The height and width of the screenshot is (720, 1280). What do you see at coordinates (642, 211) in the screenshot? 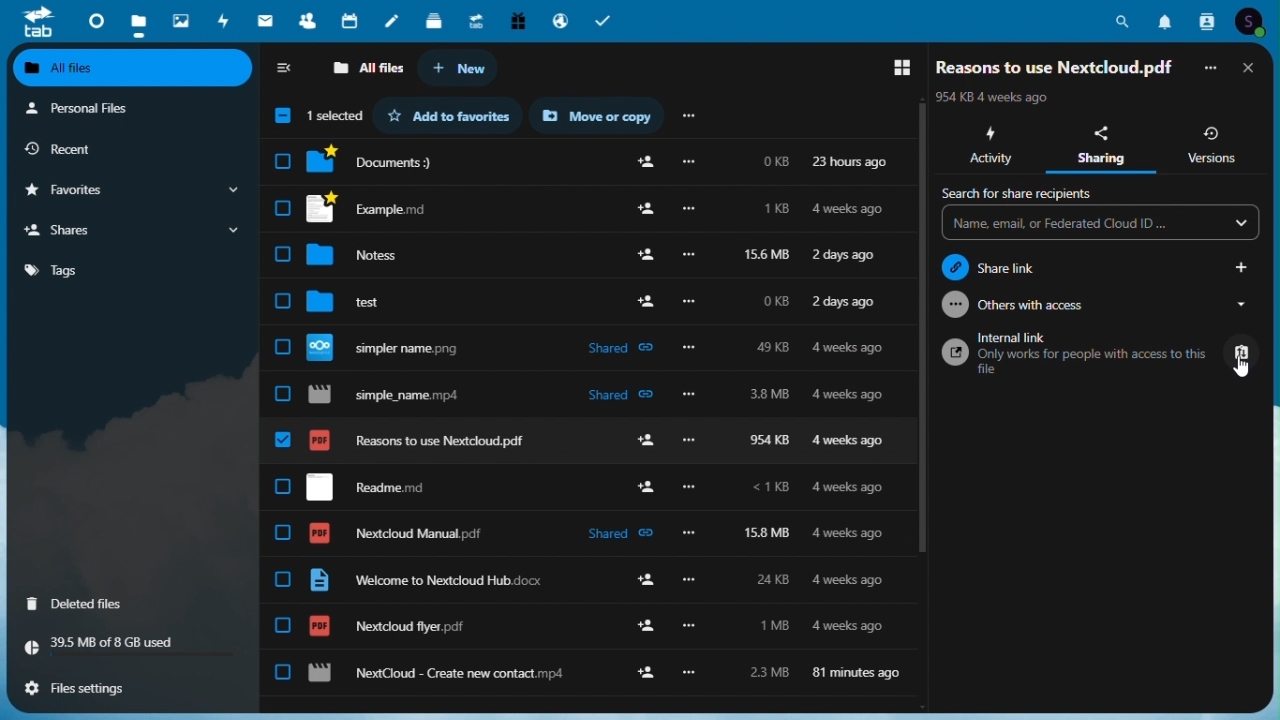
I see ` add user` at bounding box center [642, 211].